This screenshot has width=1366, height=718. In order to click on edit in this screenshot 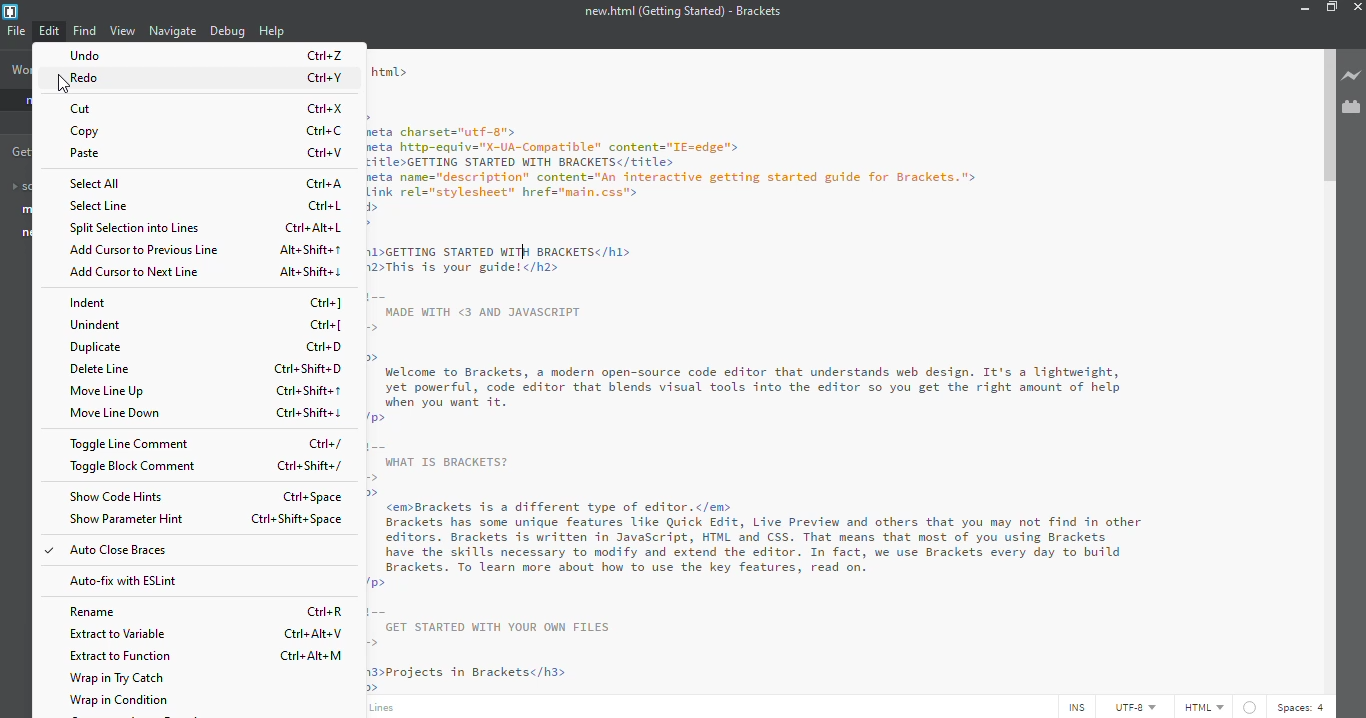, I will do `click(50, 30)`.